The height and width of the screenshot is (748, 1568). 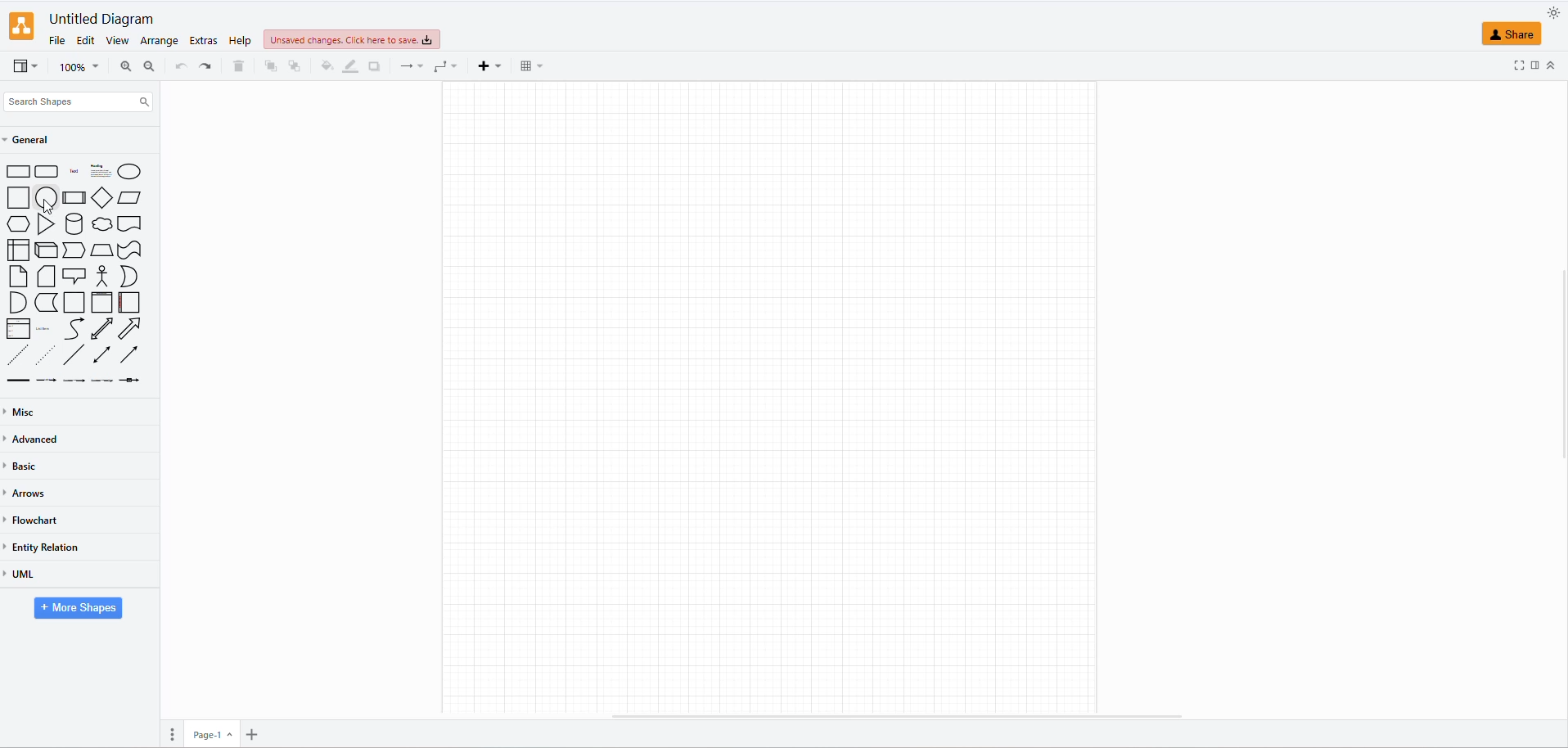 I want to click on ARROWS, so click(x=29, y=495).